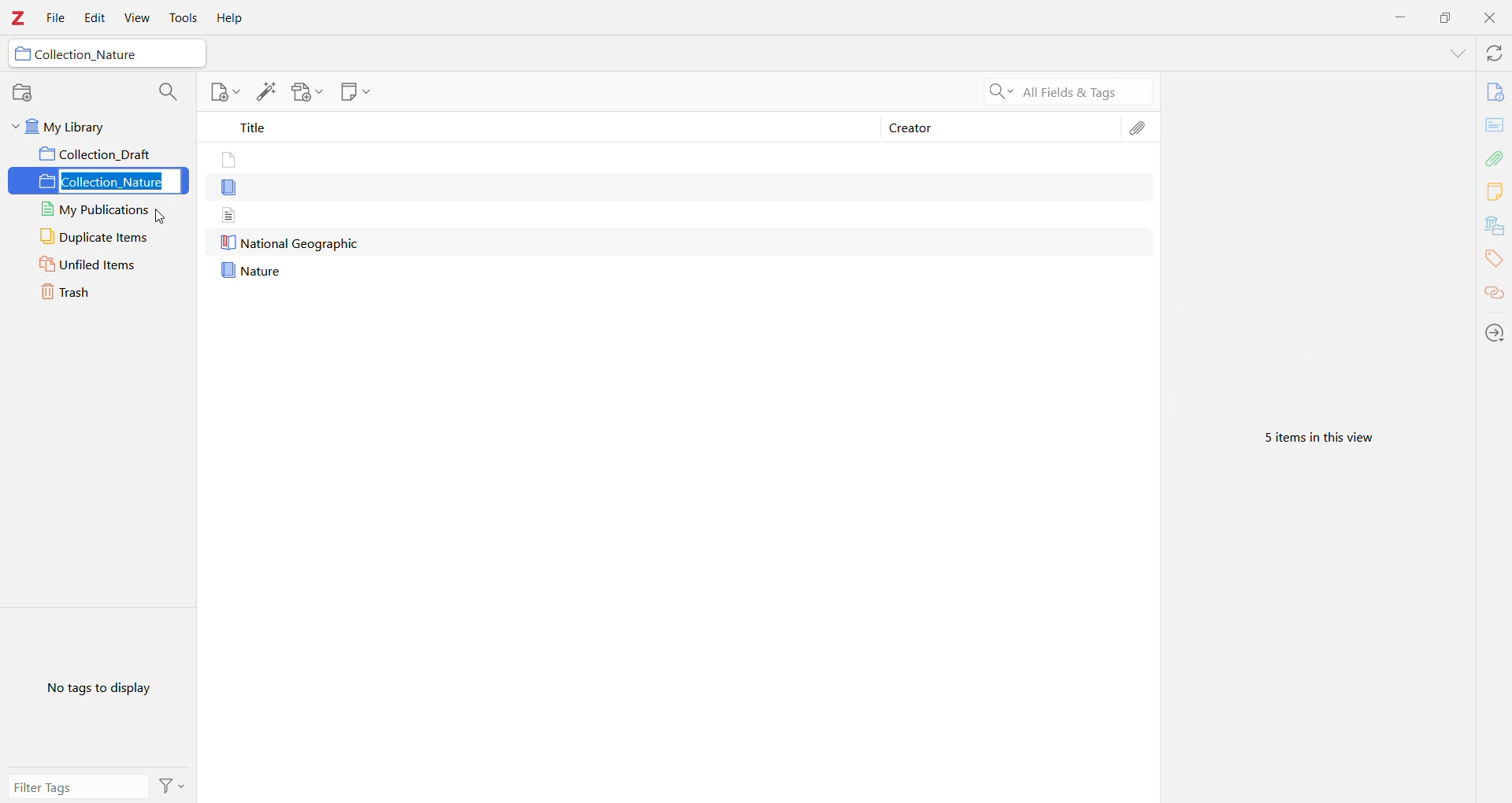 Image resolution: width=1512 pixels, height=803 pixels. I want to click on 5 items in this view, so click(1299, 439).